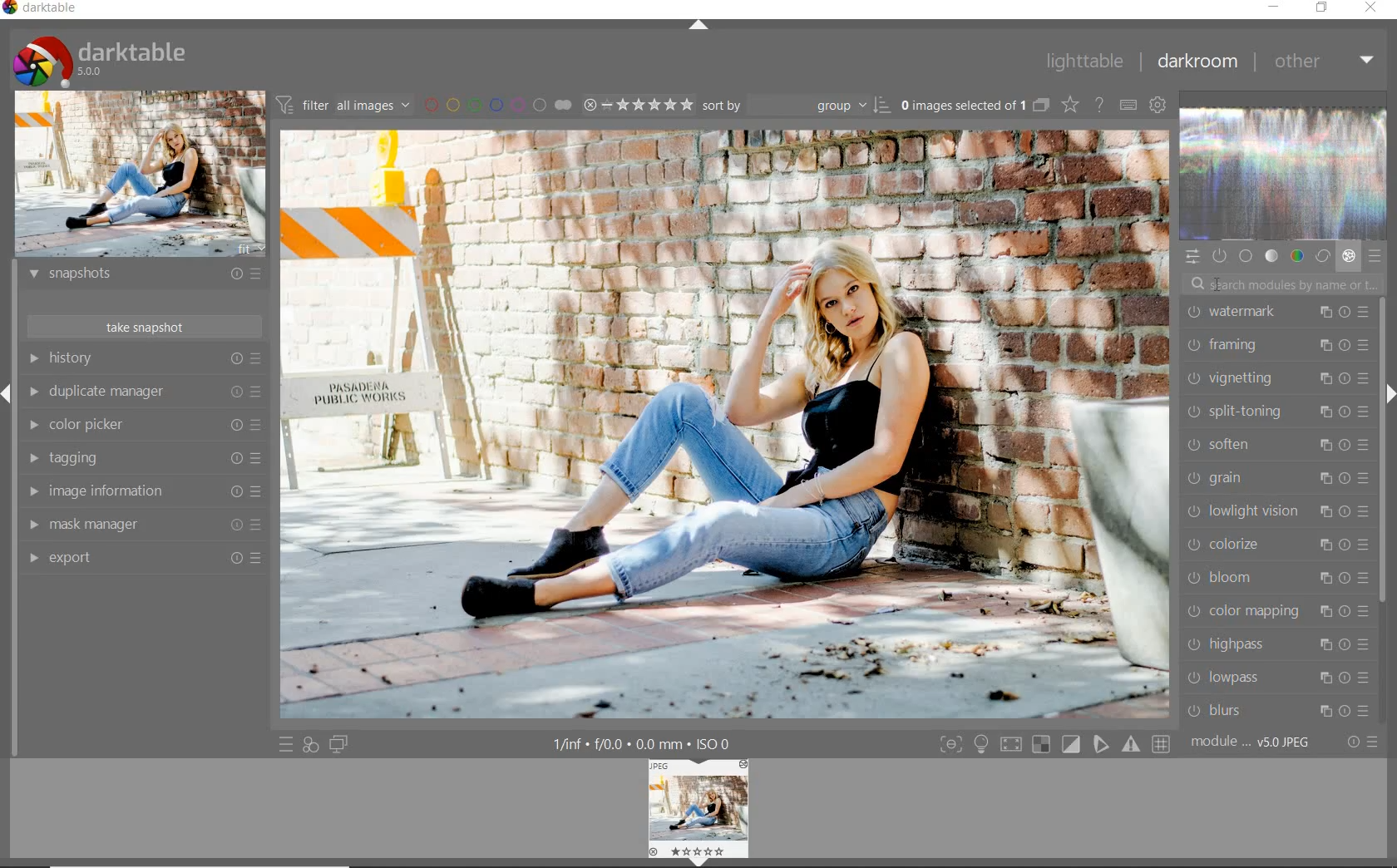  Describe the element at coordinates (146, 394) in the screenshot. I see `duplicate manager` at that location.